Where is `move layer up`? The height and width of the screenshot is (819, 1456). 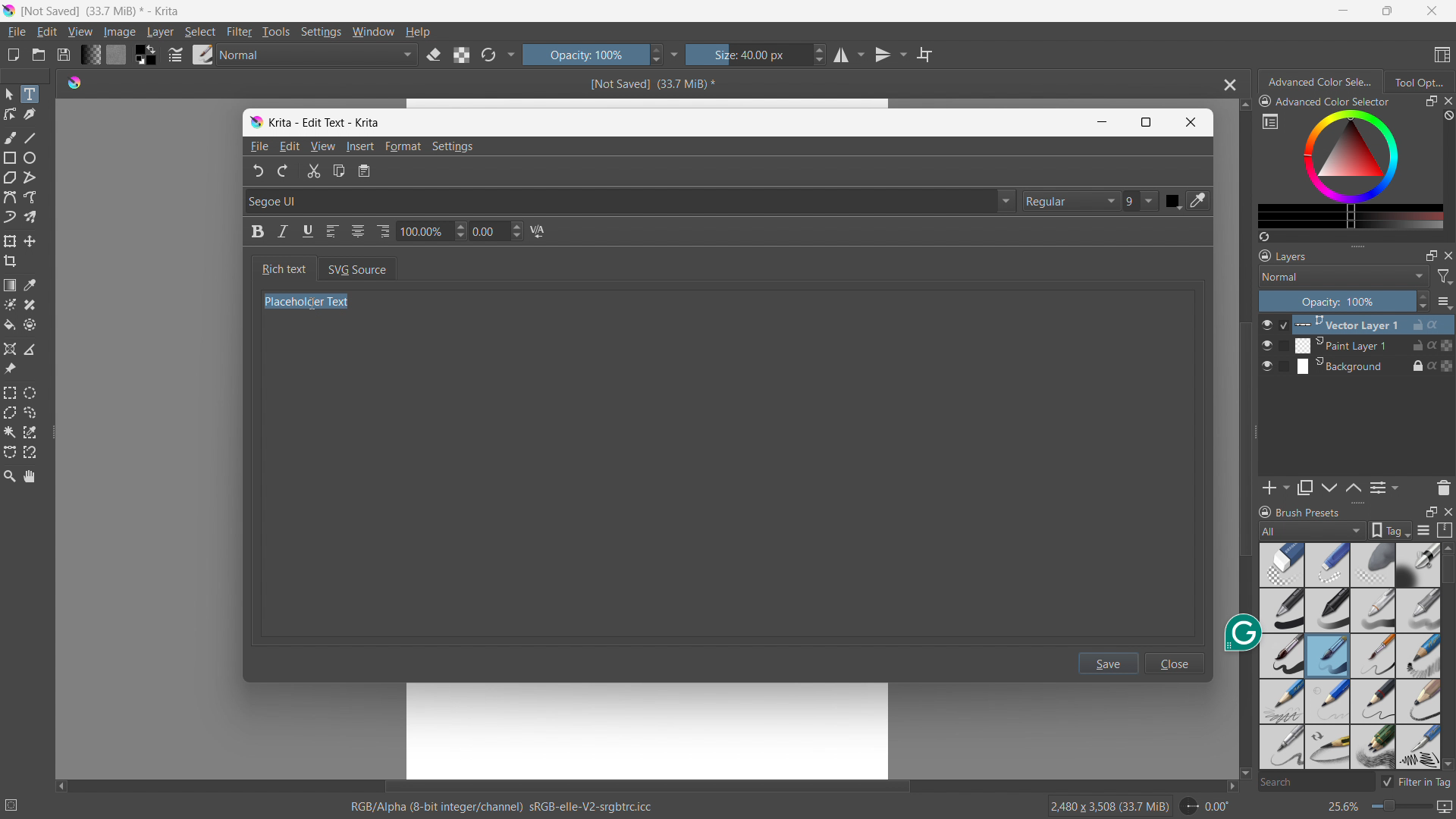
move layer up is located at coordinates (1330, 488).